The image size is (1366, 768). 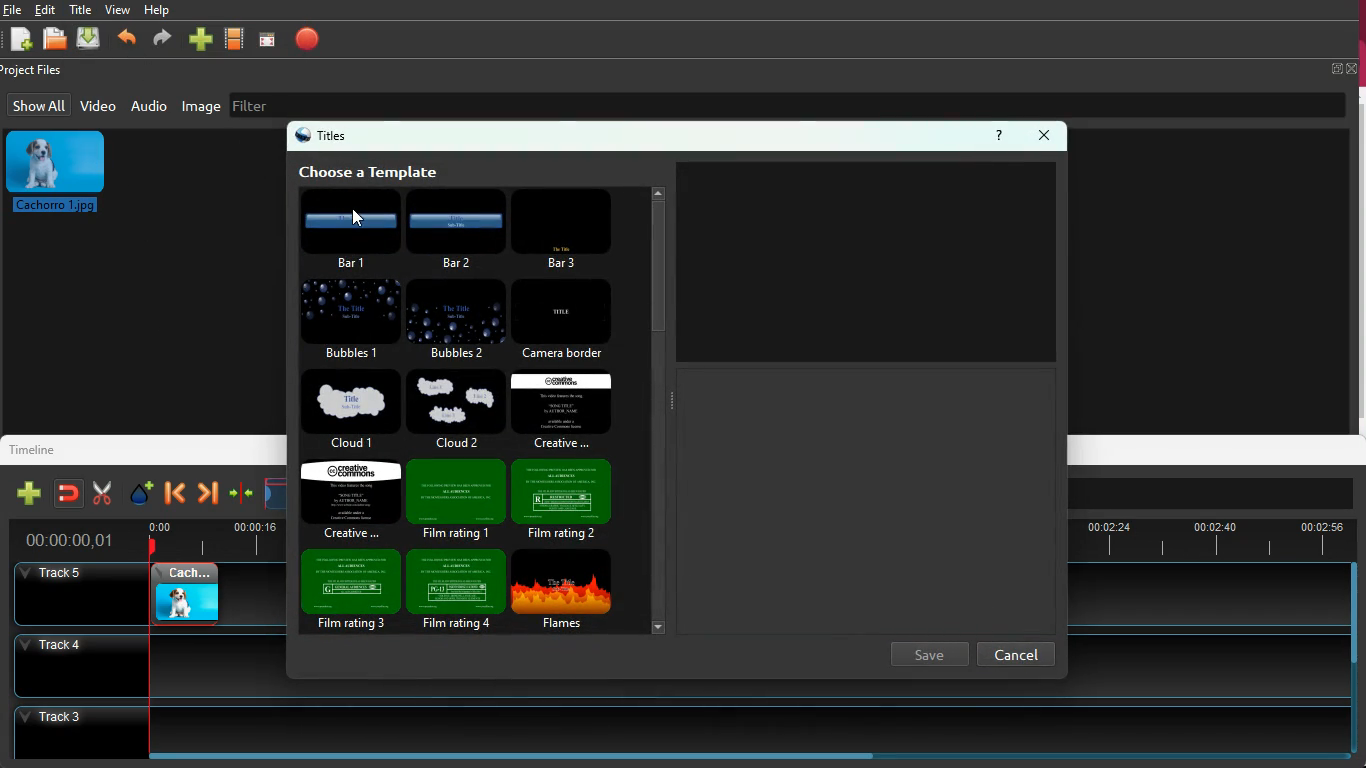 What do you see at coordinates (149, 105) in the screenshot?
I see `audio` at bounding box center [149, 105].